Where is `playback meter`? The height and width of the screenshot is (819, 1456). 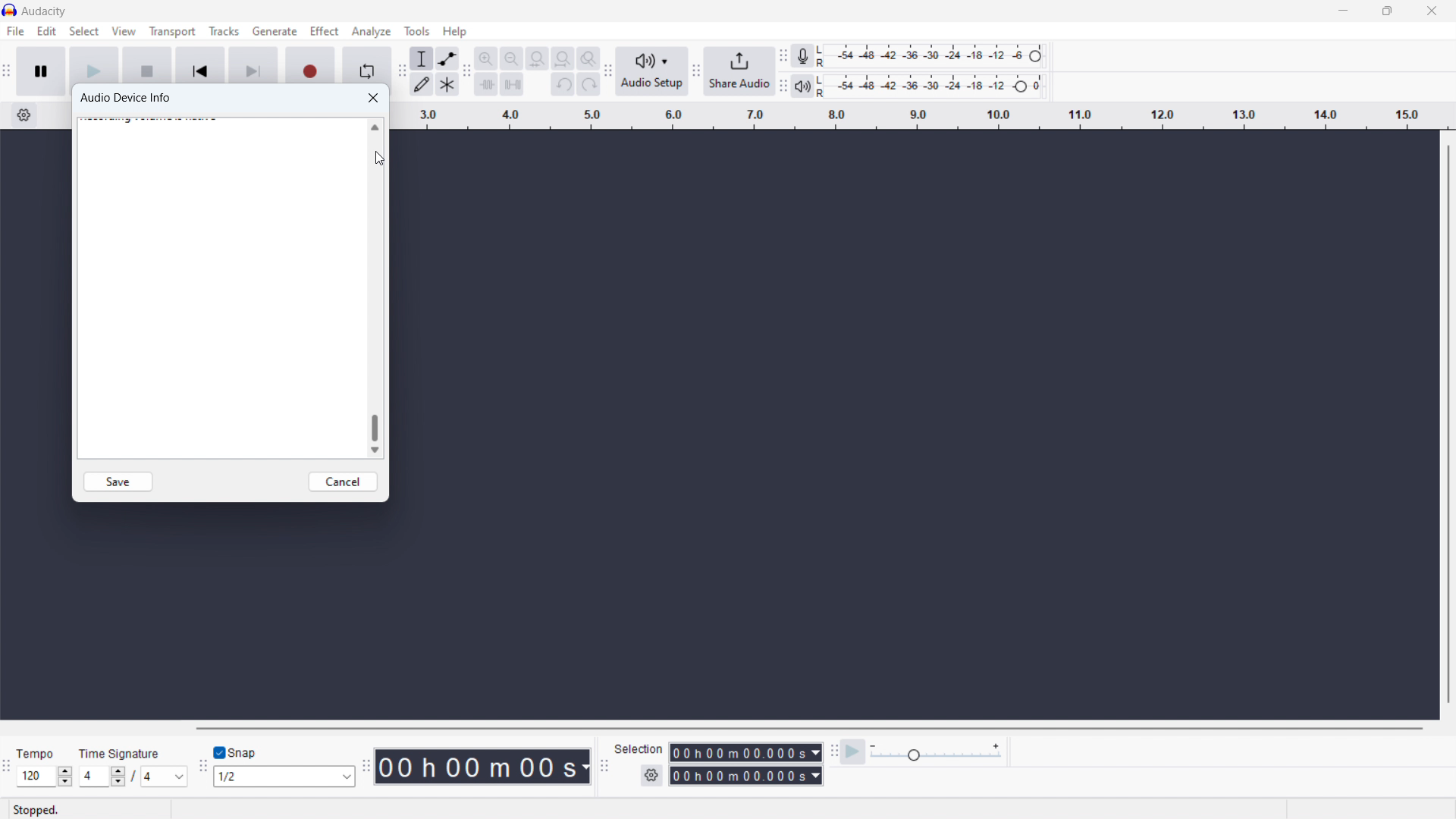 playback meter is located at coordinates (803, 87).